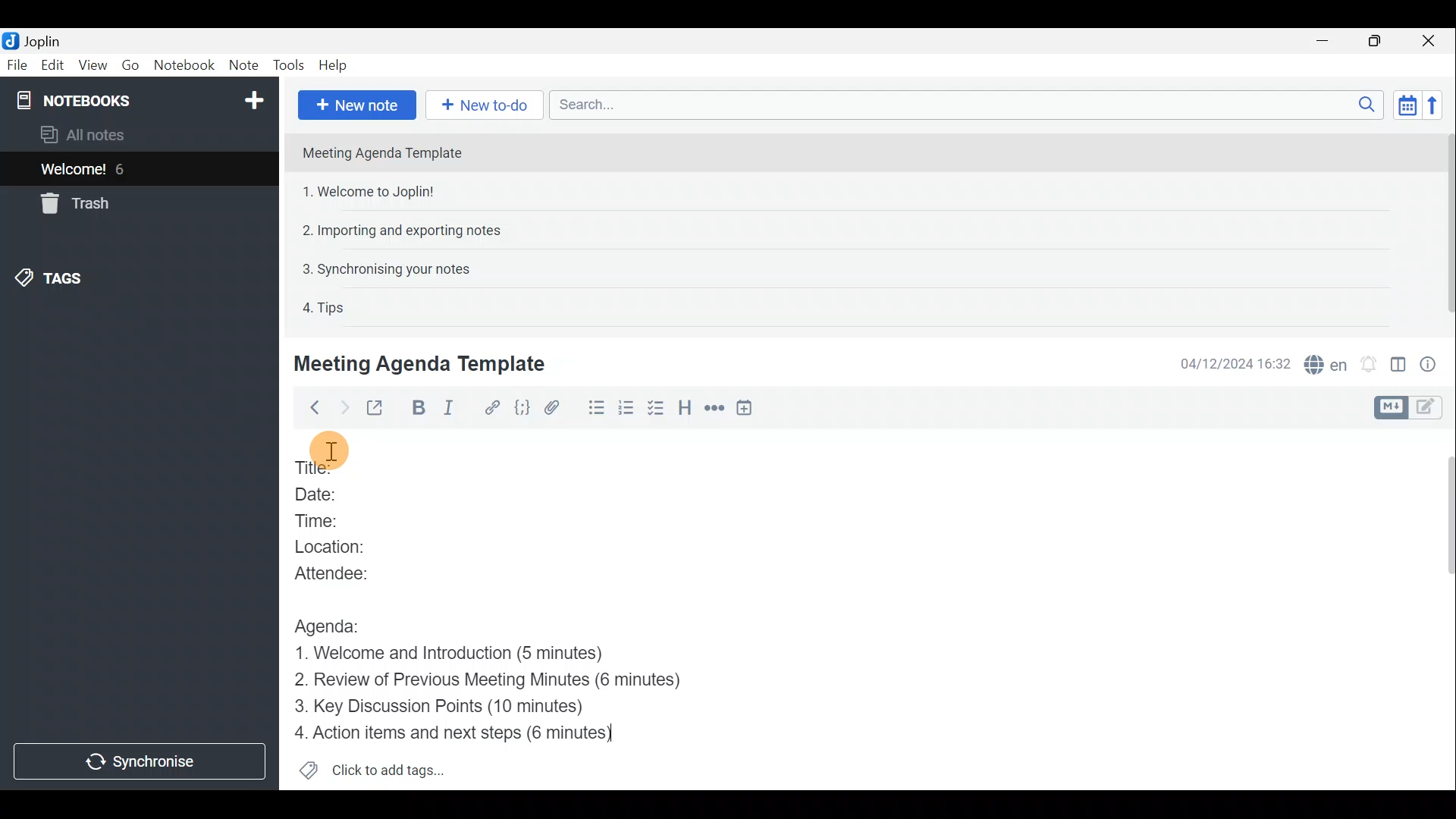 The width and height of the screenshot is (1456, 819). Describe the element at coordinates (524, 409) in the screenshot. I see `Code` at that location.